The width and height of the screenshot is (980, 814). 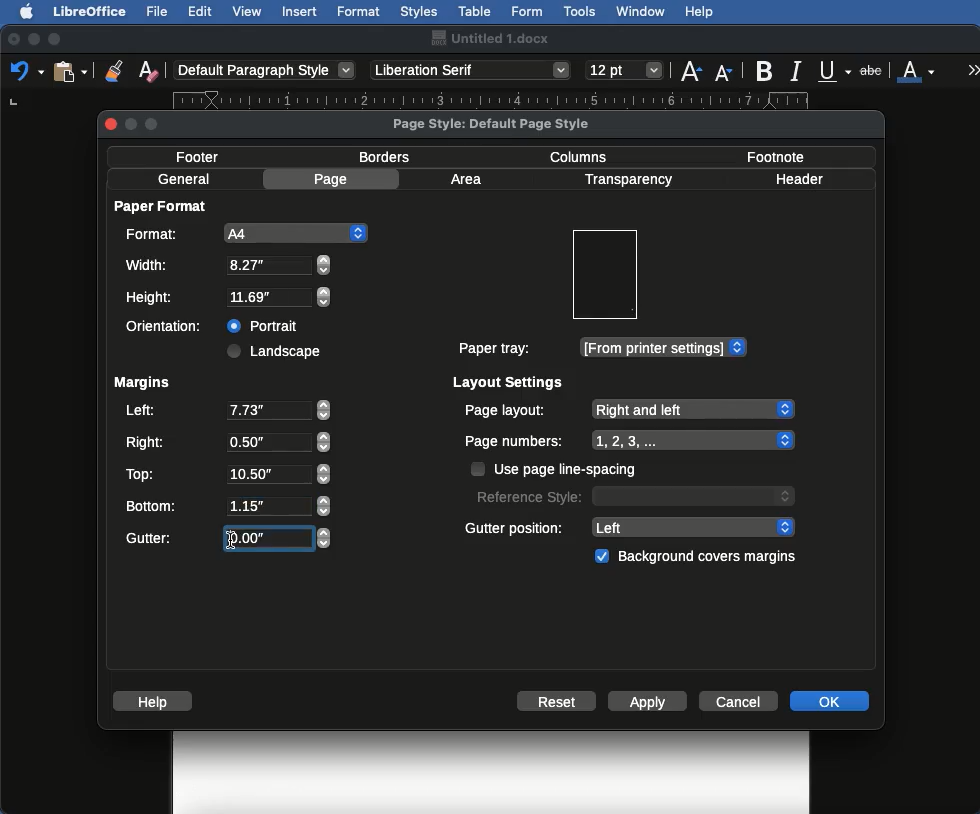 What do you see at coordinates (227, 504) in the screenshot?
I see `Bottom` at bounding box center [227, 504].